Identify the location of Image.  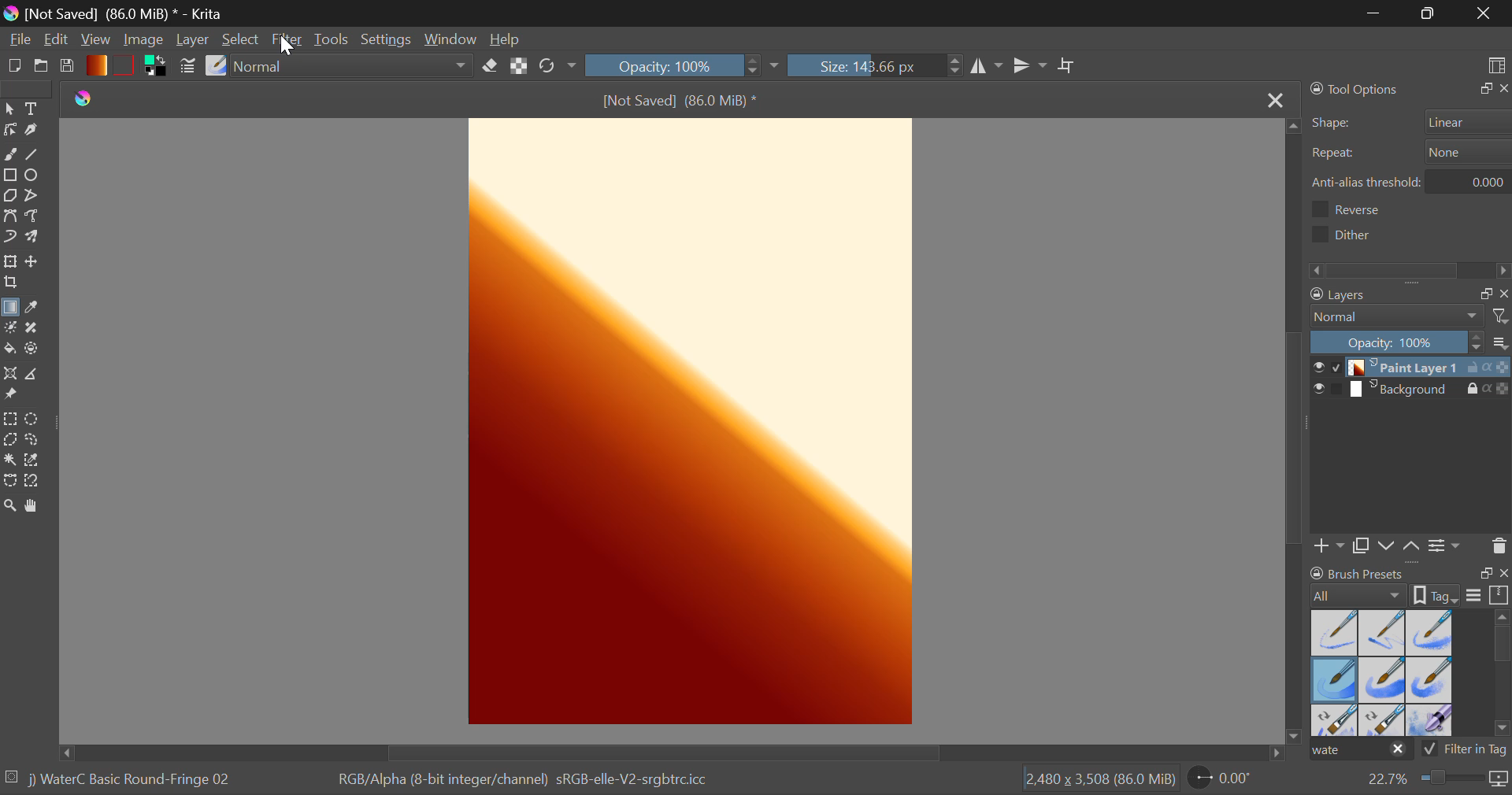
(146, 42).